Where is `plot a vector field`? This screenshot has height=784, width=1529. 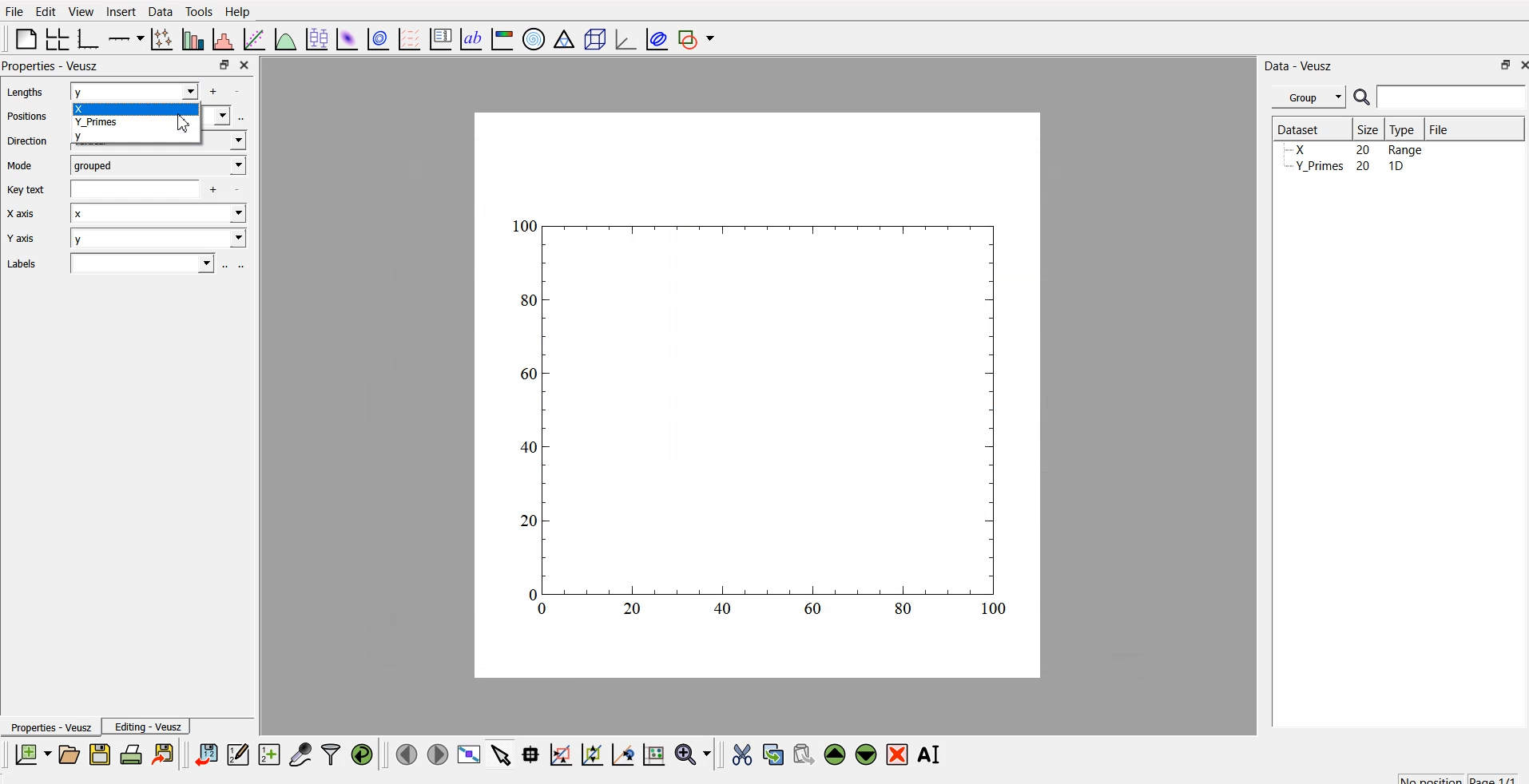 plot a vector field is located at coordinates (412, 38).